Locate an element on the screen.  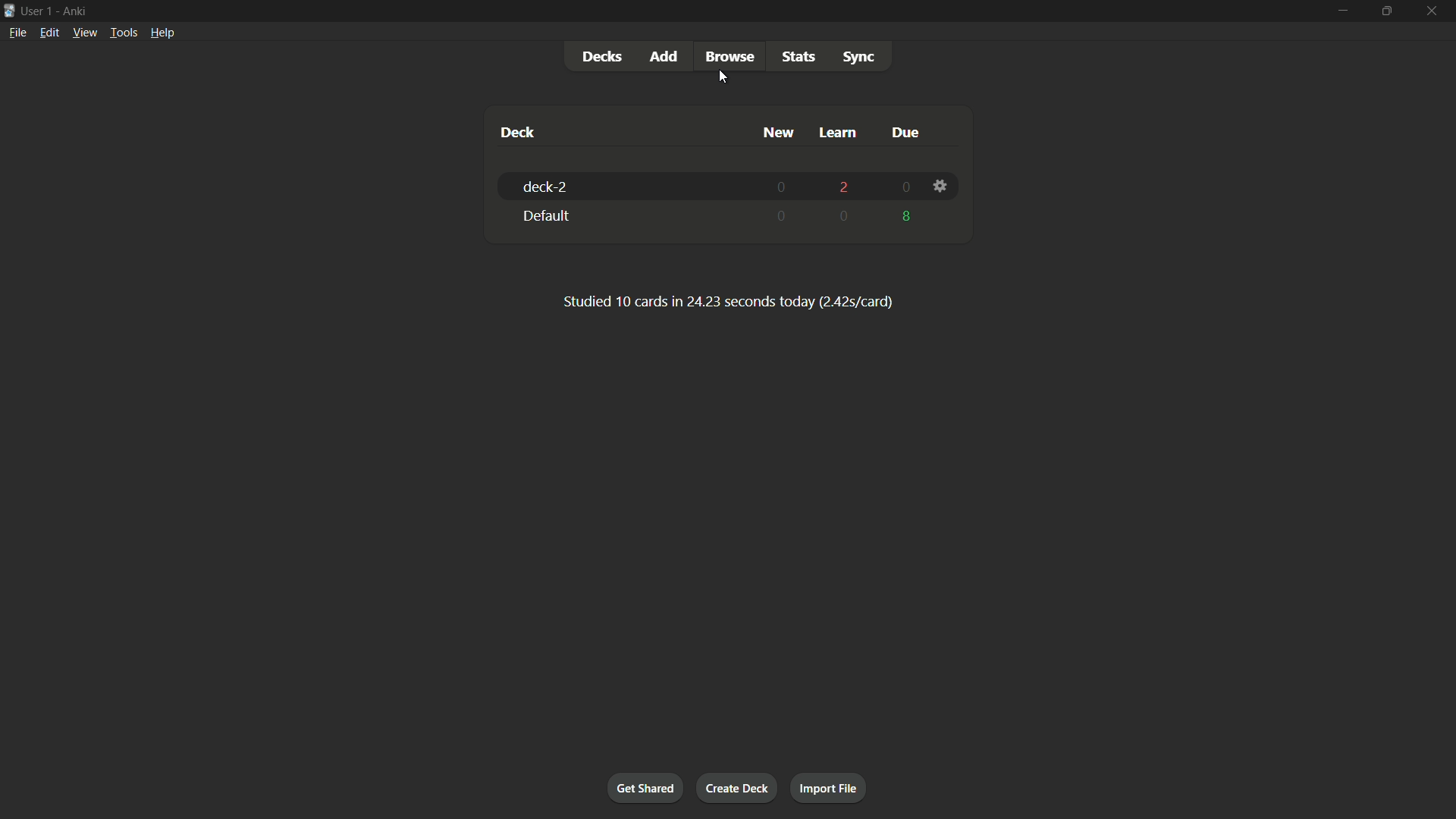
App name is located at coordinates (78, 11).